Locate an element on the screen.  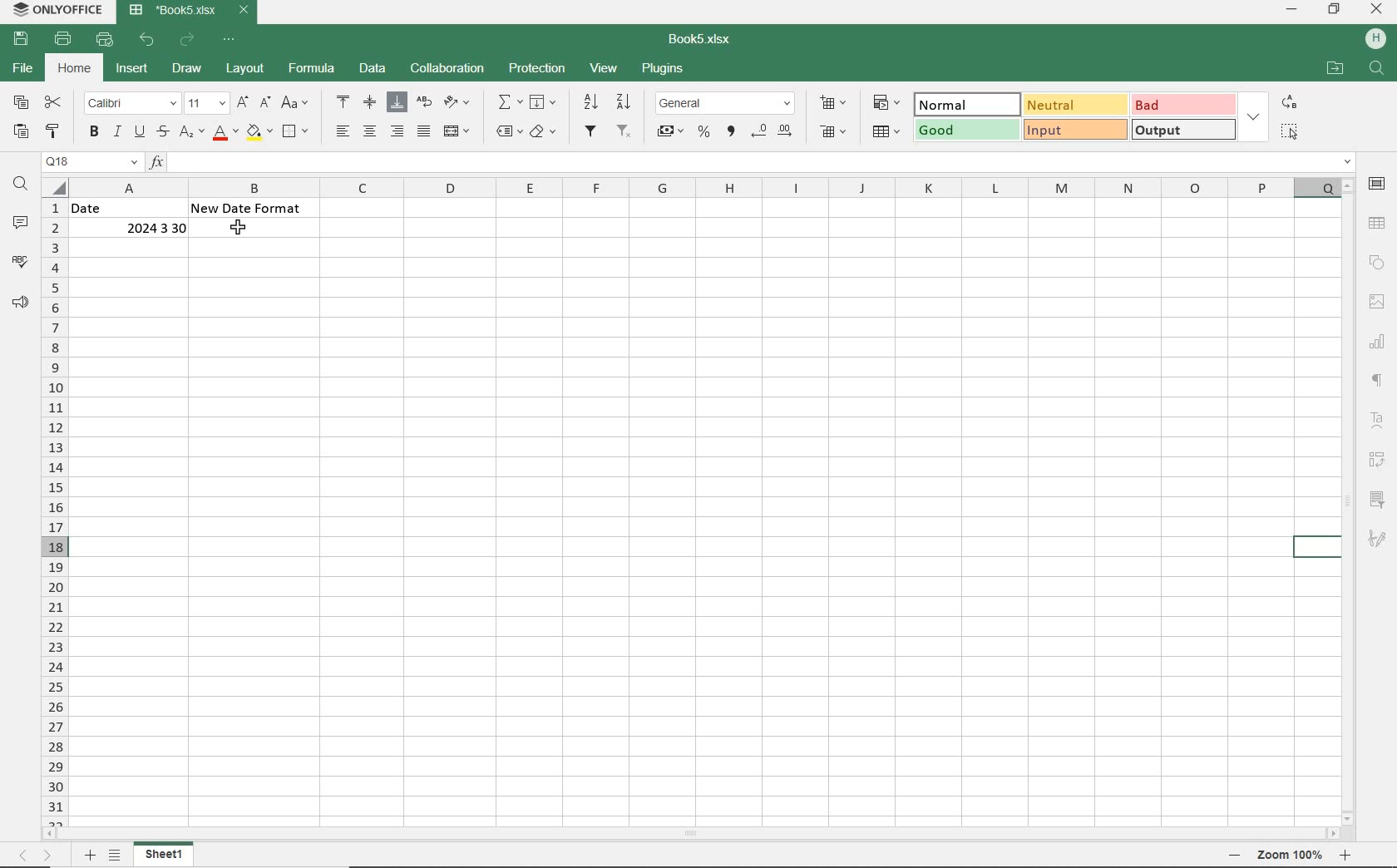
FONT COLOR is located at coordinates (225, 135).